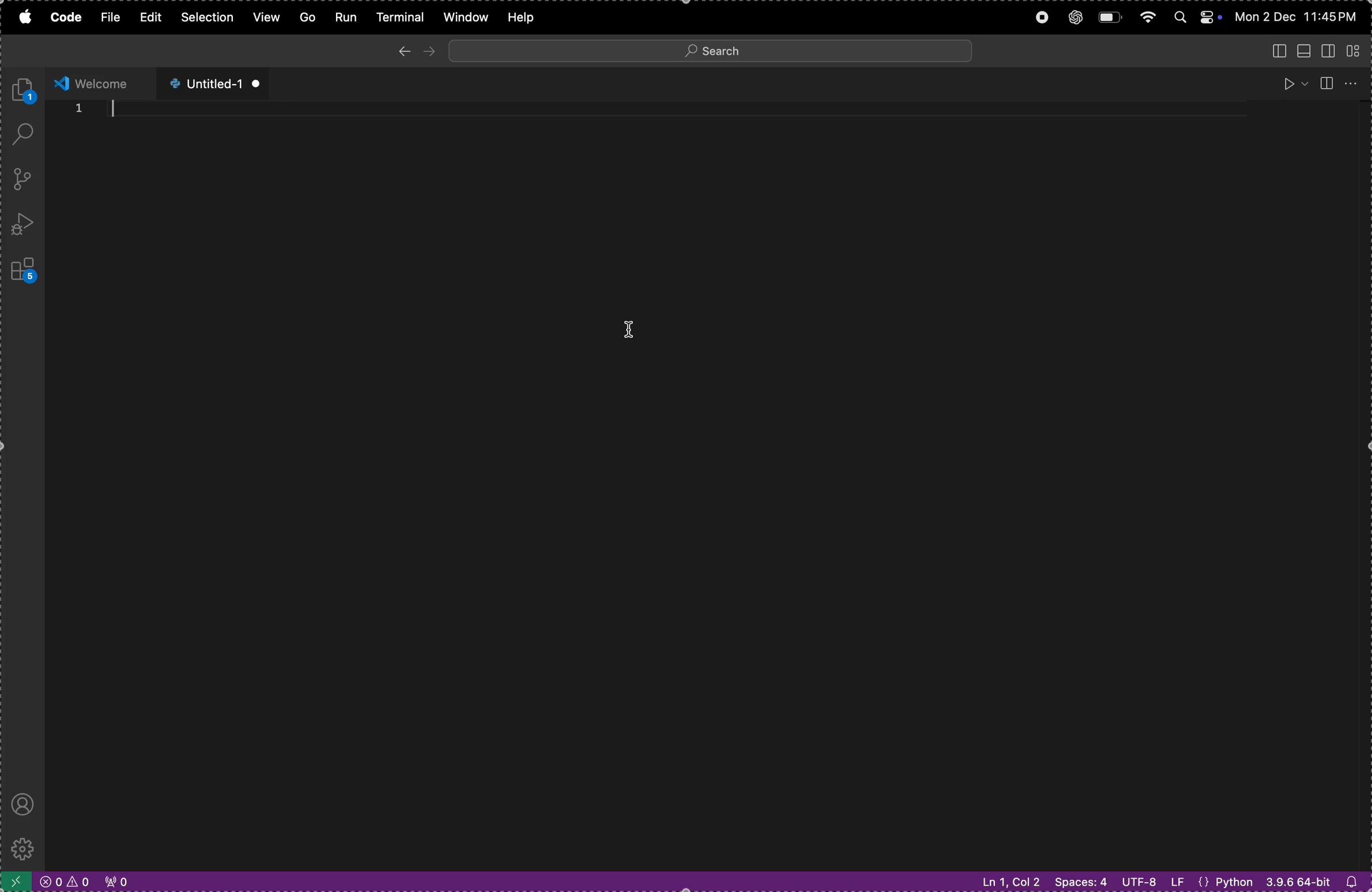 This screenshot has width=1372, height=892. Describe the element at coordinates (21, 267) in the screenshot. I see `extinsions` at that location.